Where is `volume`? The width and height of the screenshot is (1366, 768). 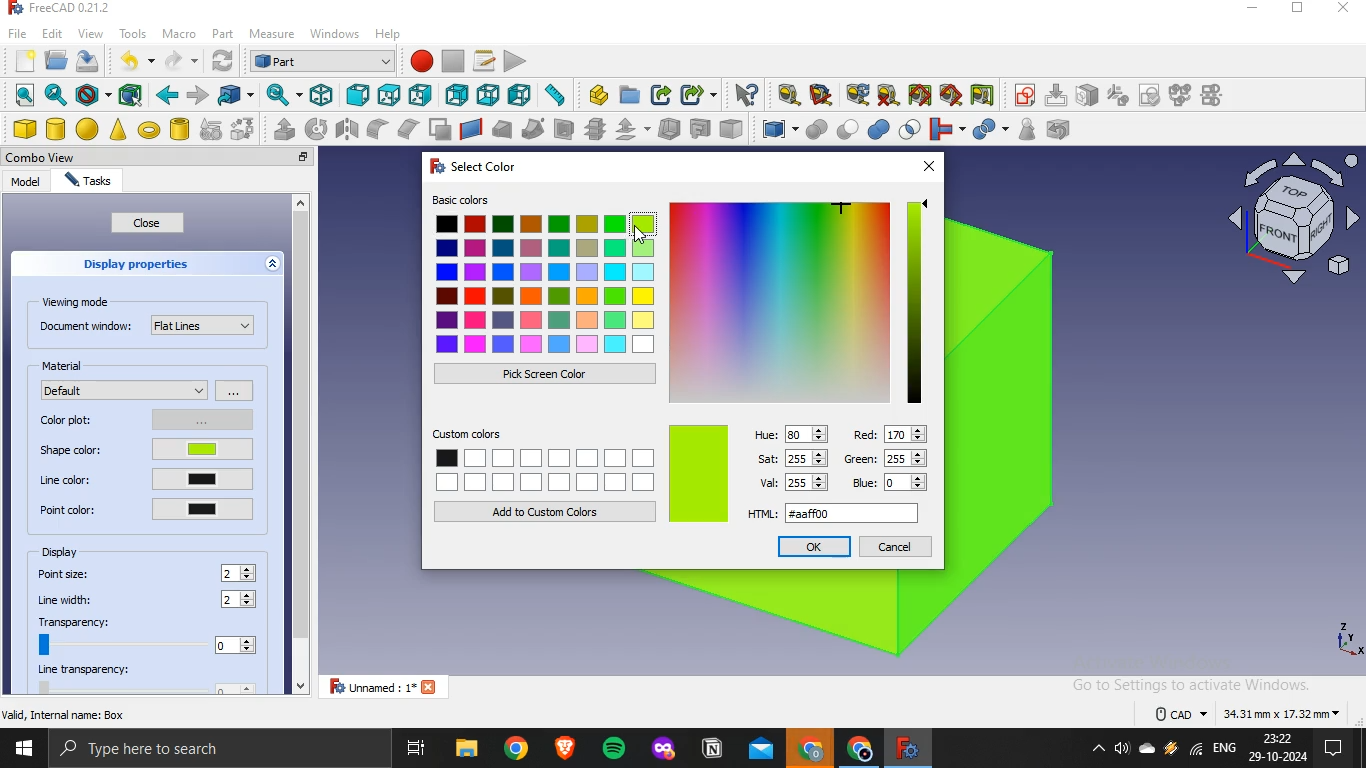 volume is located at coordinates (1121, 750).